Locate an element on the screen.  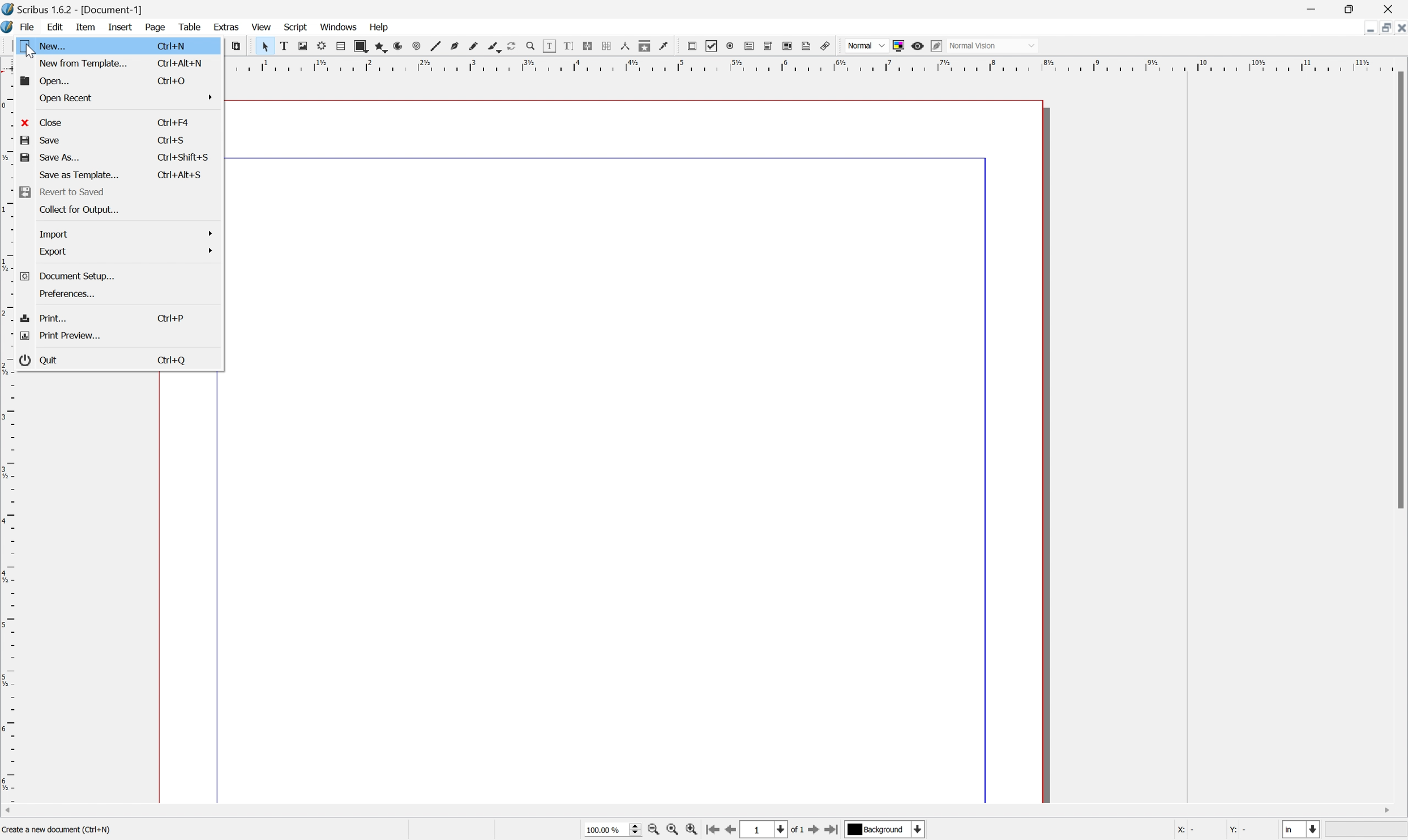
Eye dropper is located at coordinates (665, 46).